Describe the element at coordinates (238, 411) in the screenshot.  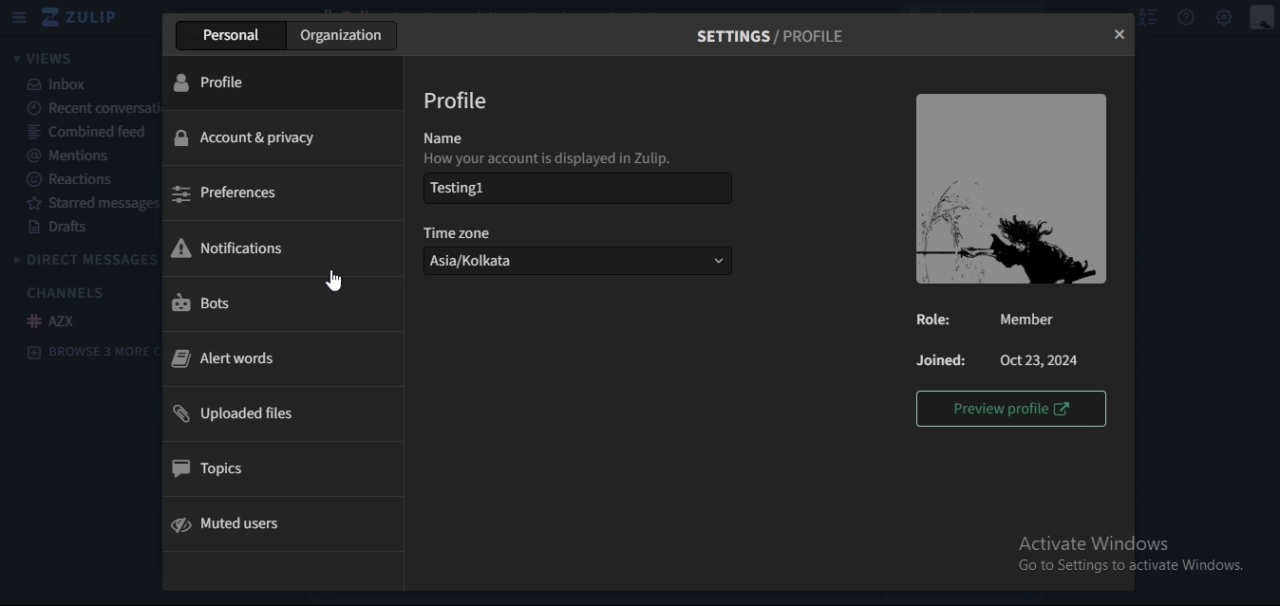
I see `uploaded files` at that location.